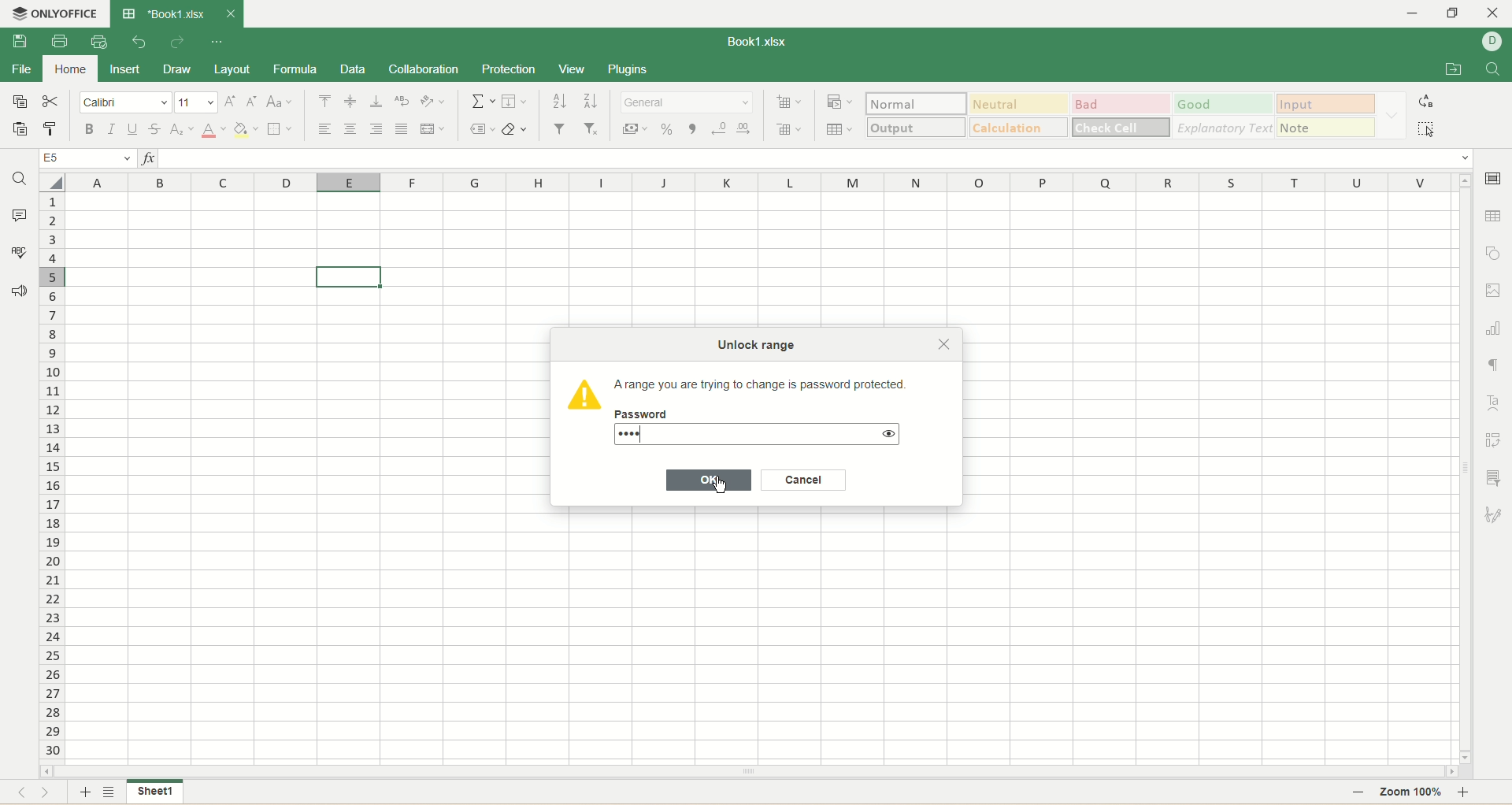  Describe the element at coordinates (939, 345) in the screenshot. I see `Close` at that location.